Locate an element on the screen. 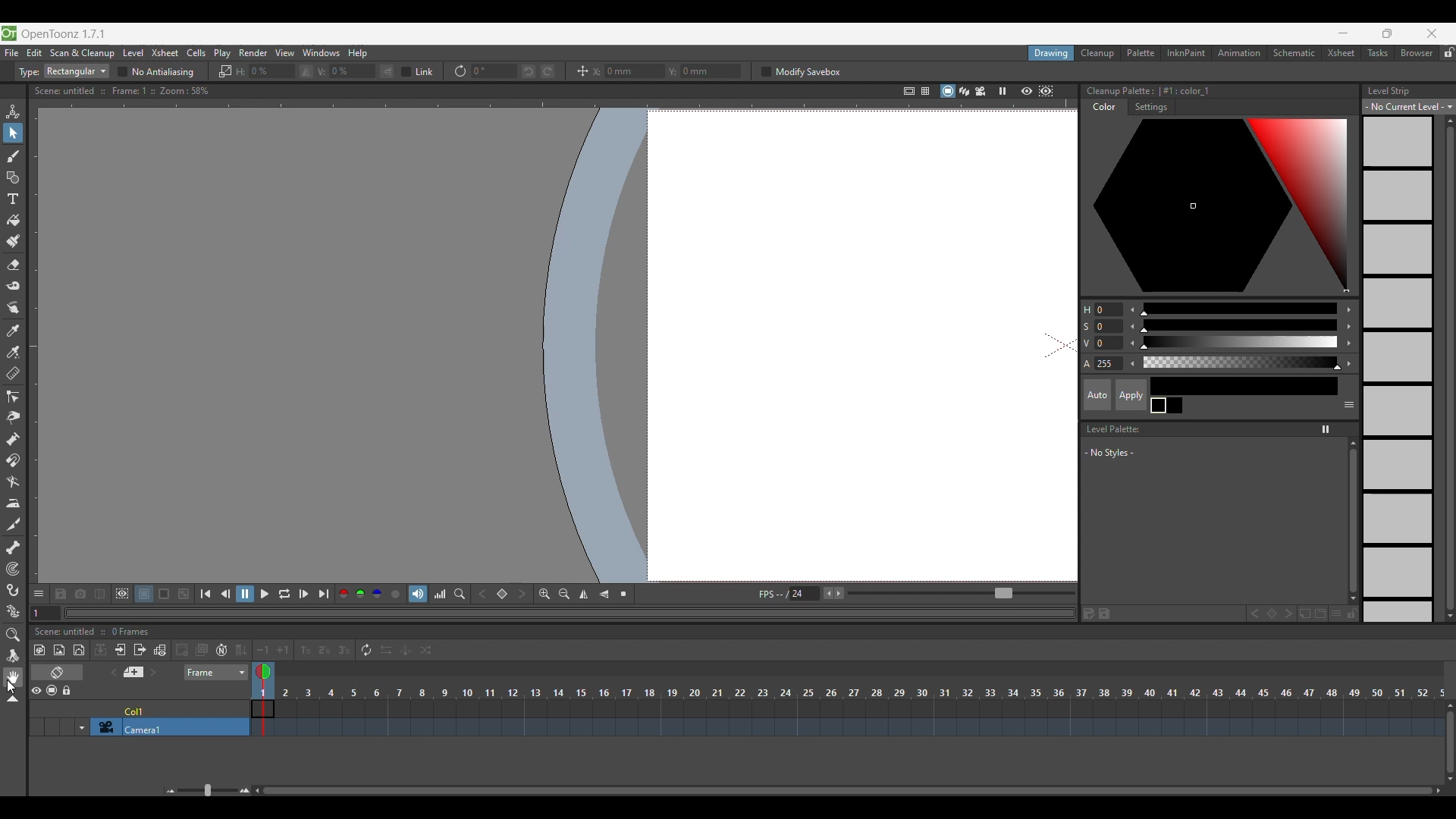 Image resolution: width=1456 pixels, height=819 pixels. Play is located at coordinates (264, 593).